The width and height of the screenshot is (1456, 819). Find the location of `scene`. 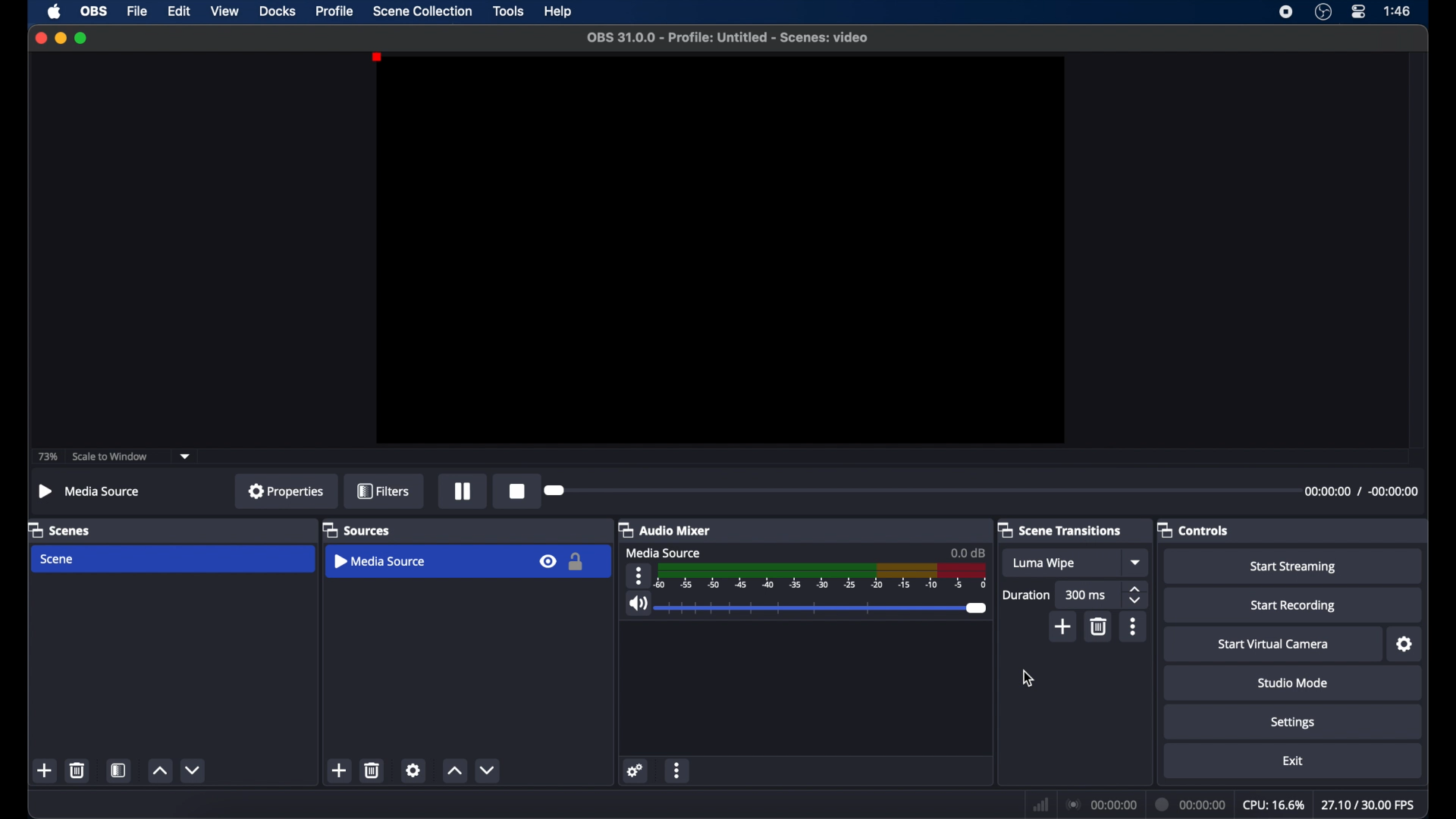

scene is located at coordinates (58, 560).